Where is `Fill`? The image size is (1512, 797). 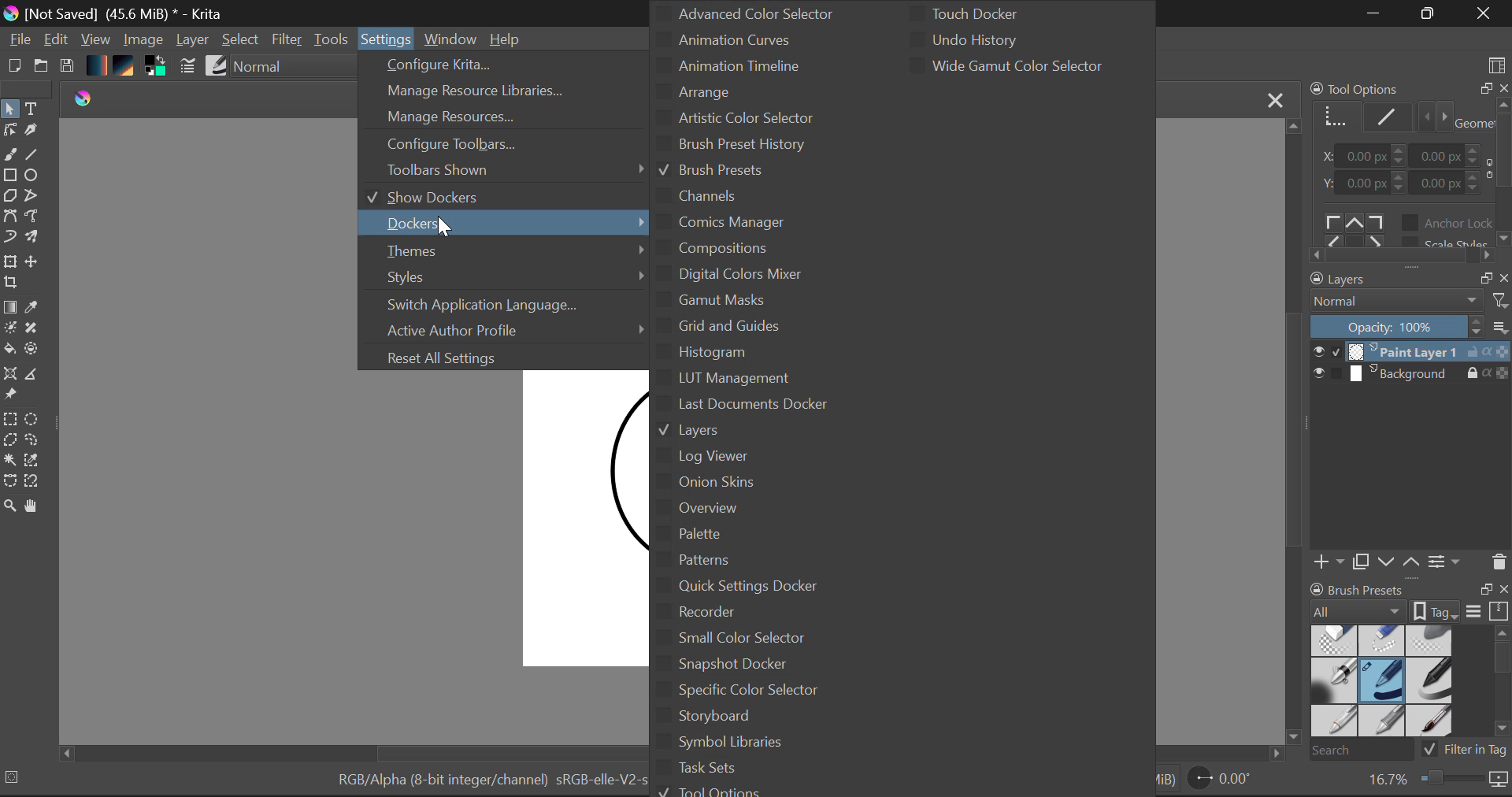
Fill is located at coordinates (9, 350).